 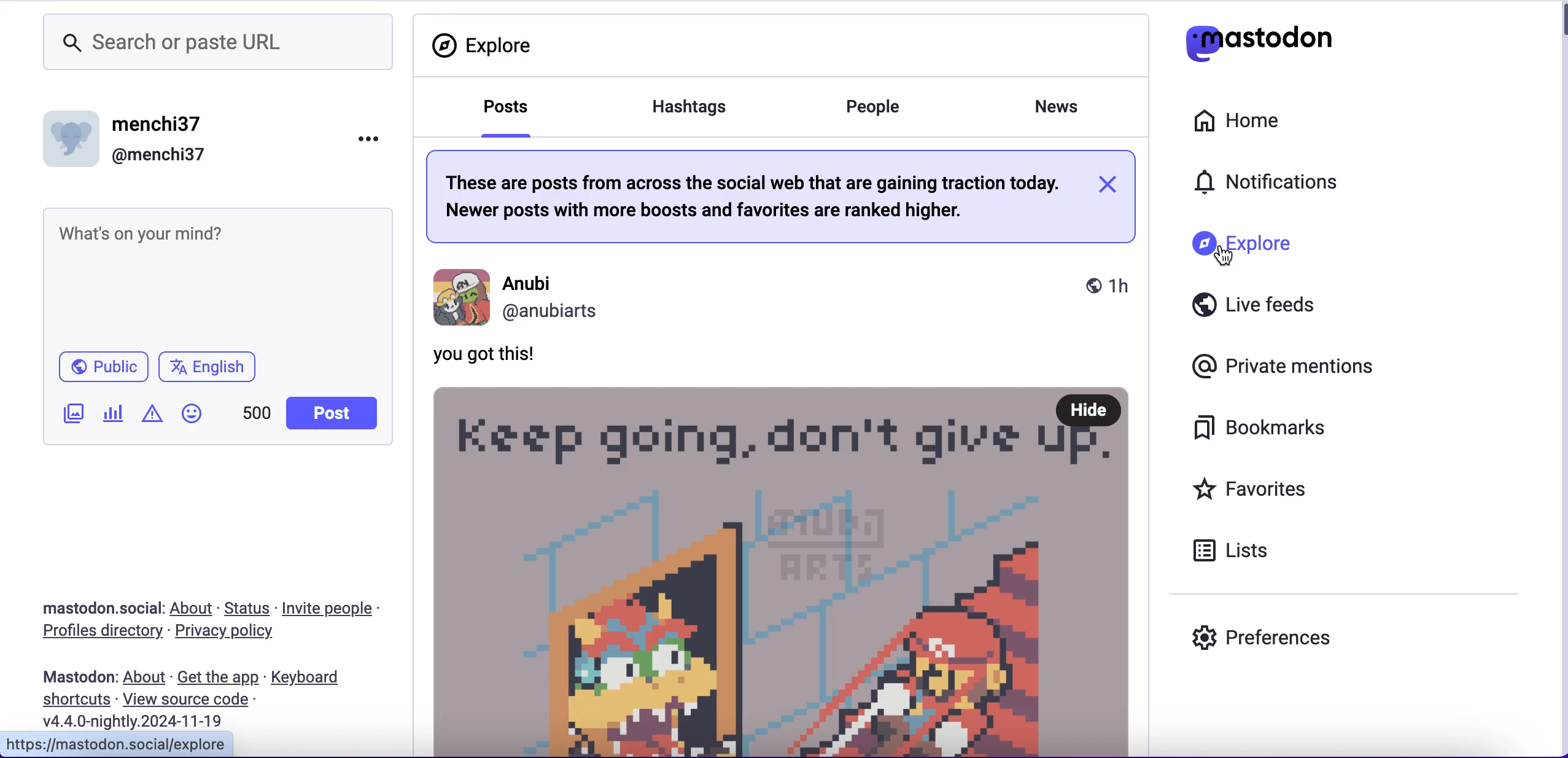 What do you see at coordinates (461, 297) in the screenshot?
I see `profile photo` at bounding box center [461, 297].